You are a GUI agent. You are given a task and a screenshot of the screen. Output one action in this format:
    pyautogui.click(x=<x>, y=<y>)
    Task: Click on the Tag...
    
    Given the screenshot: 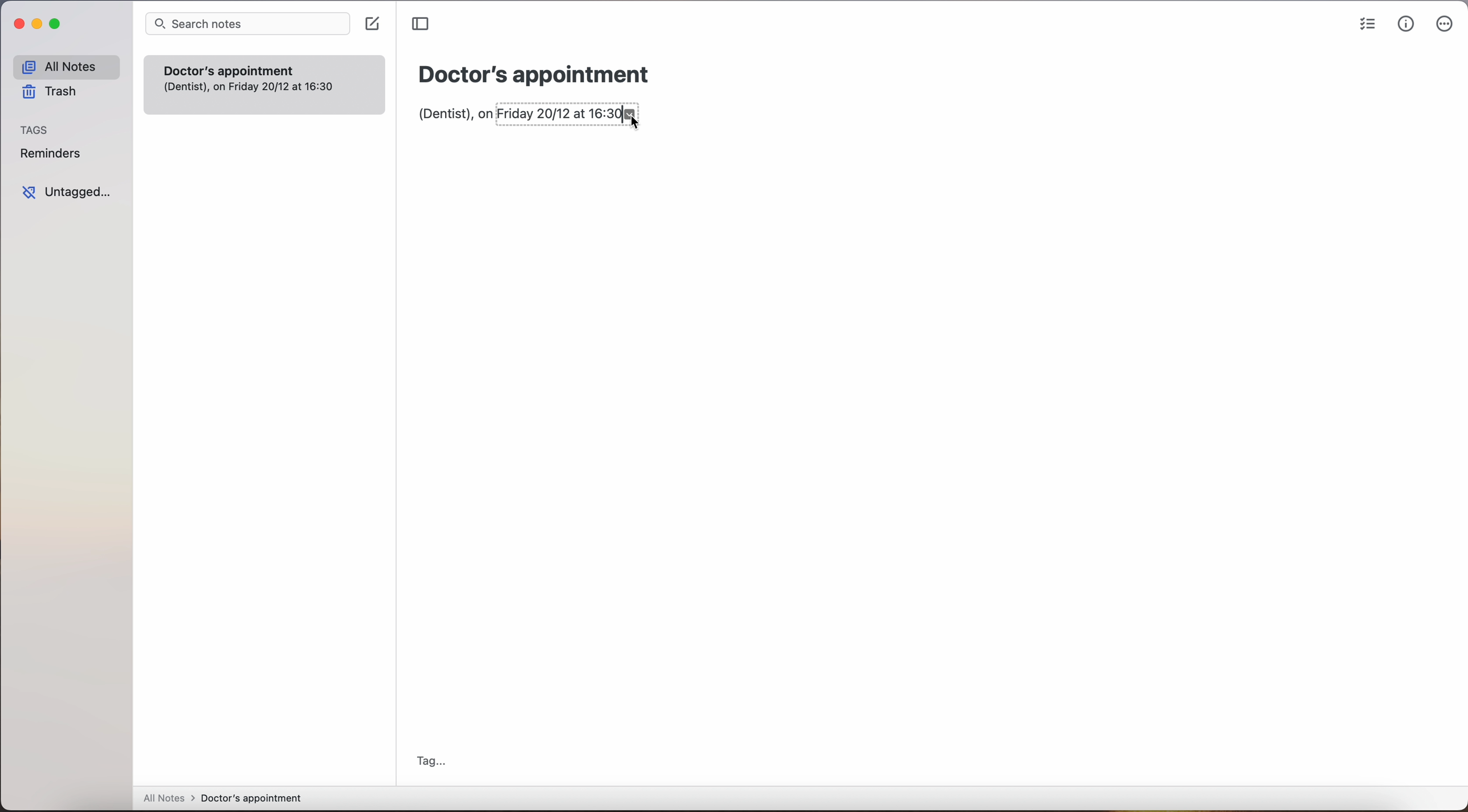 What is the action you would take?
    pyautogui.click(x=435, y=758)
    